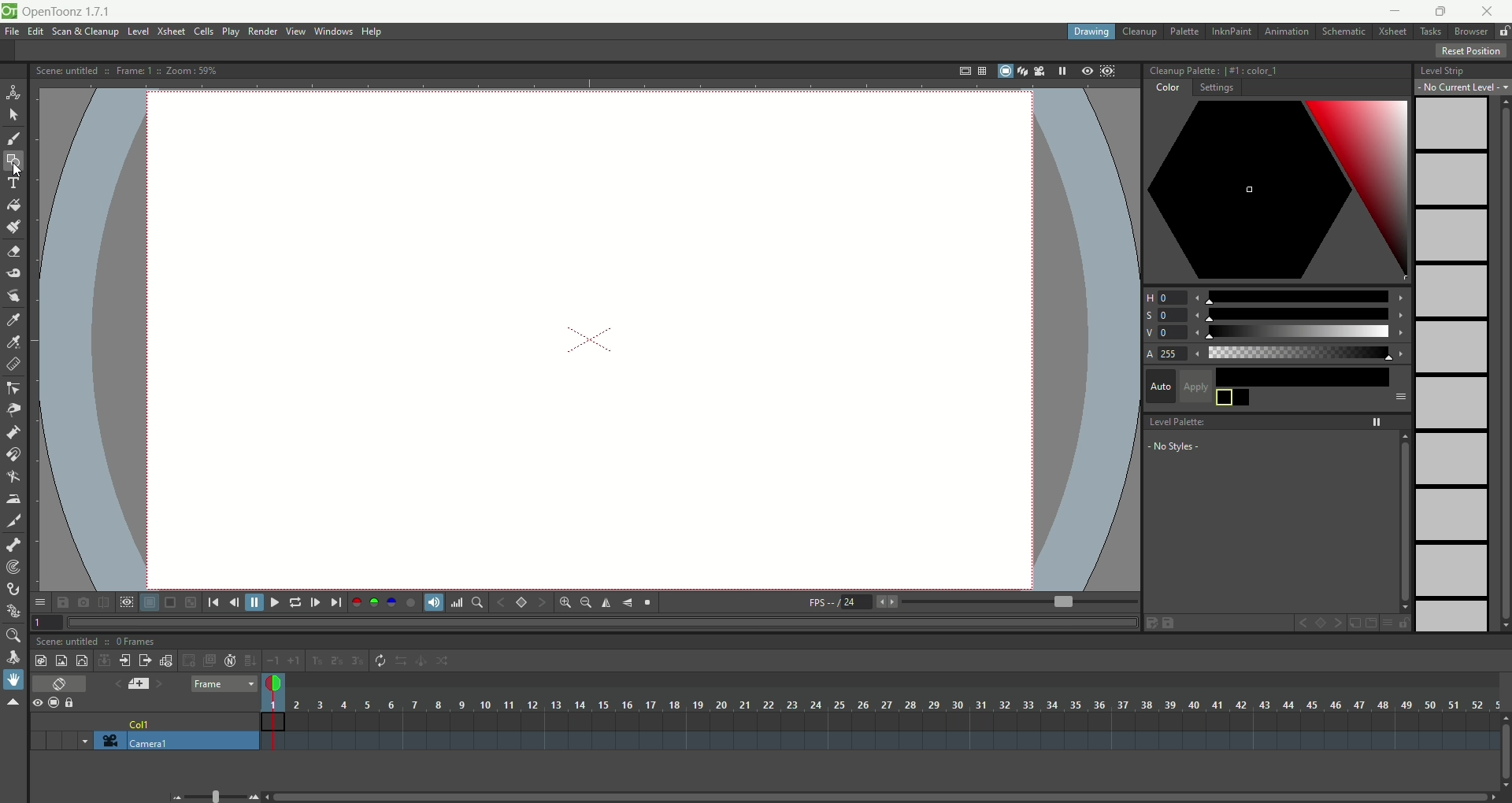  What do you see at coordinates (12, 543) in the screenshot?
I see `skeleton` at bounding box center [12, 543].